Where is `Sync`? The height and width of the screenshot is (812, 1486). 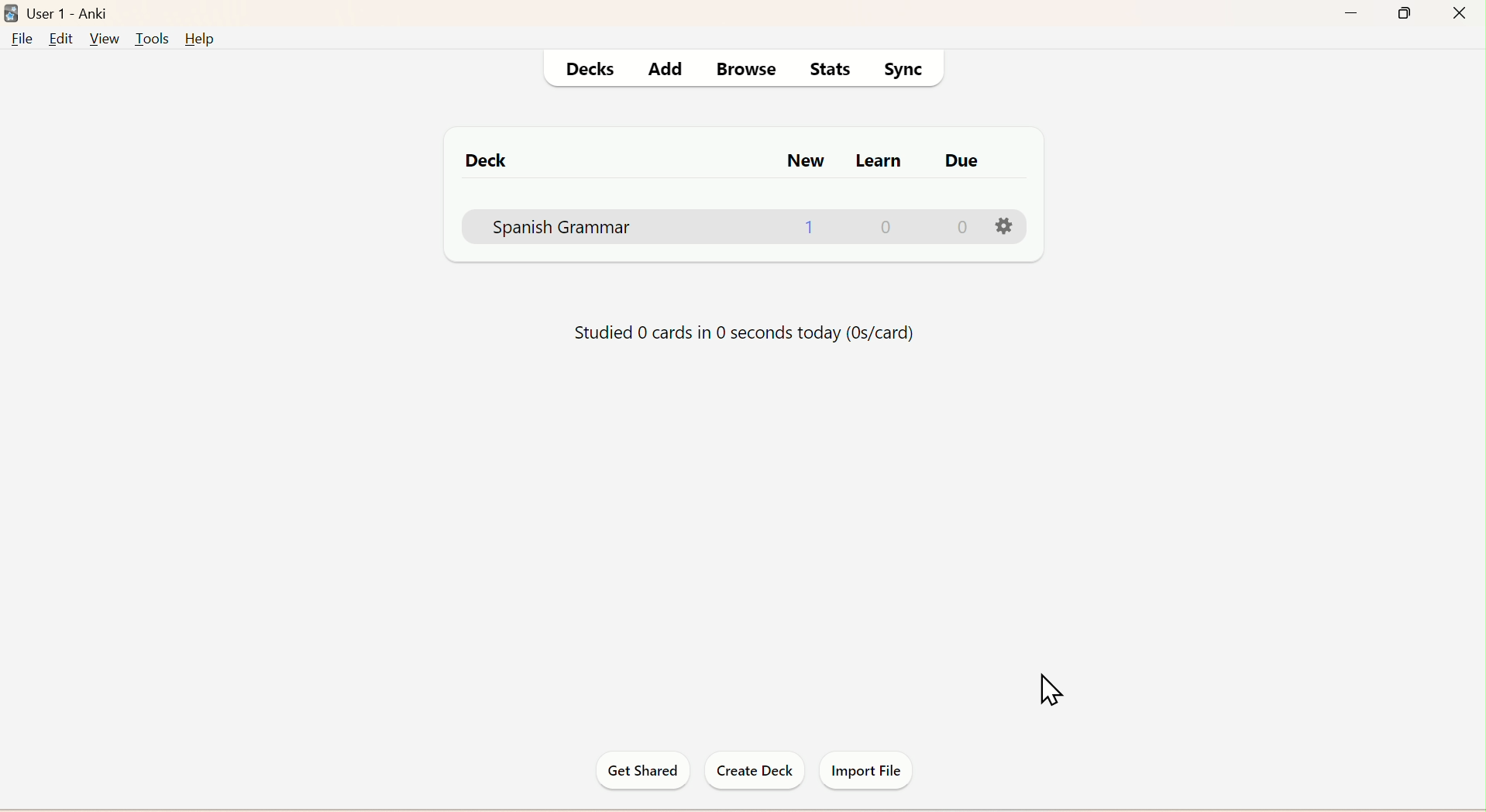 Sync is located at coordinates (904, 68).